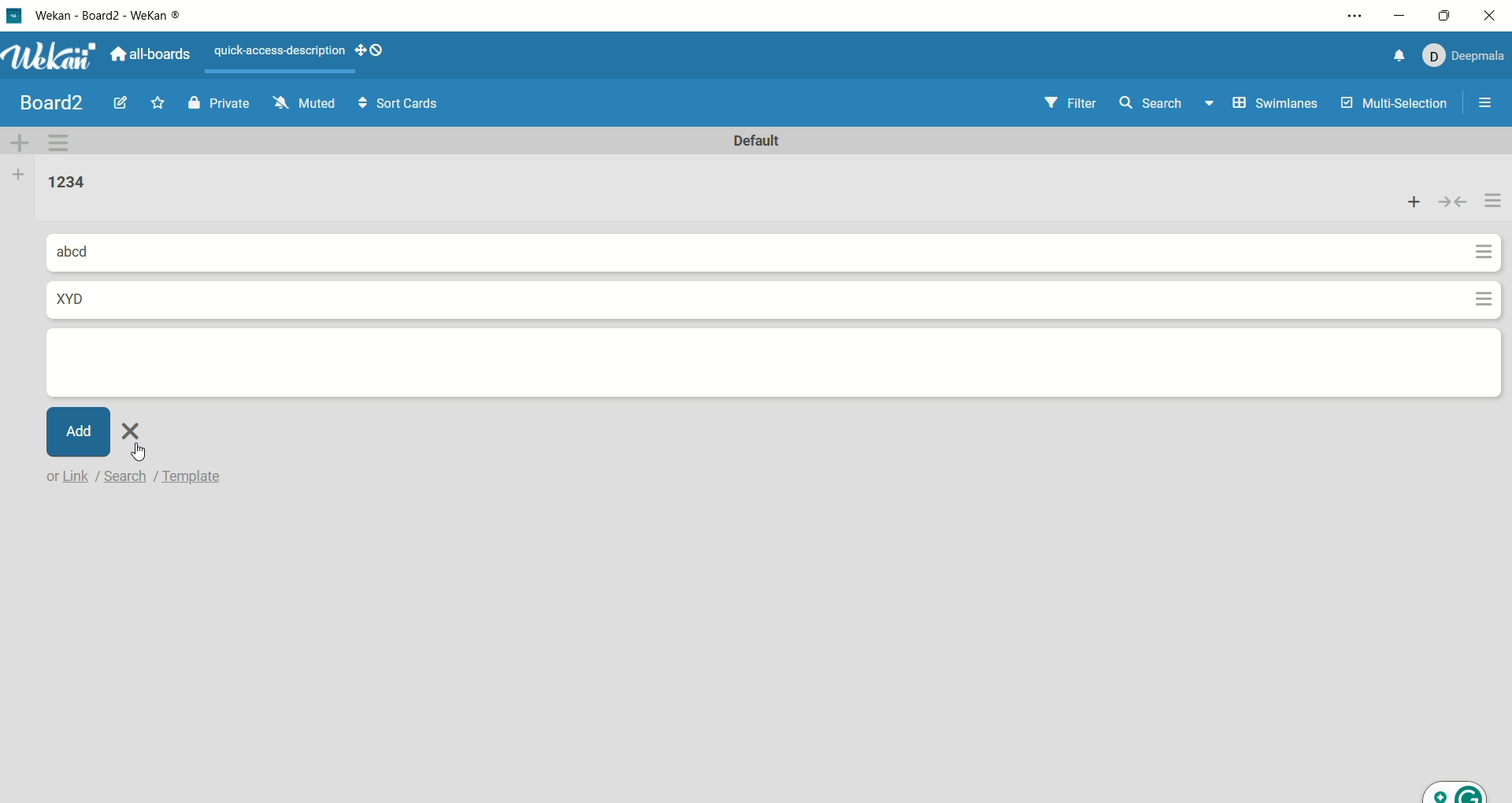  Describe the element at coordinates (46, 102) in the screenshot. I see `title` at that location.